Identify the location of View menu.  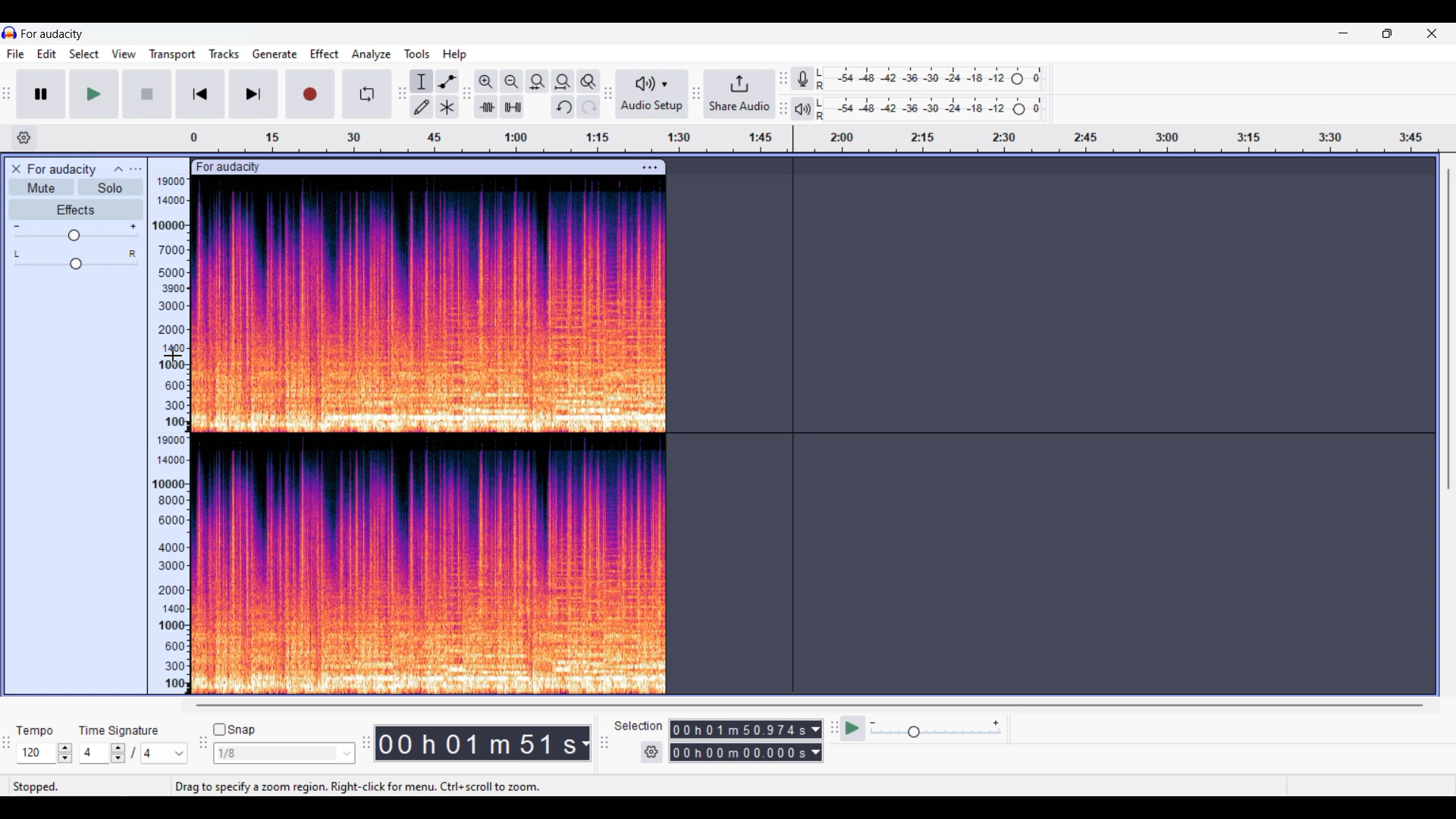
(124, 53).